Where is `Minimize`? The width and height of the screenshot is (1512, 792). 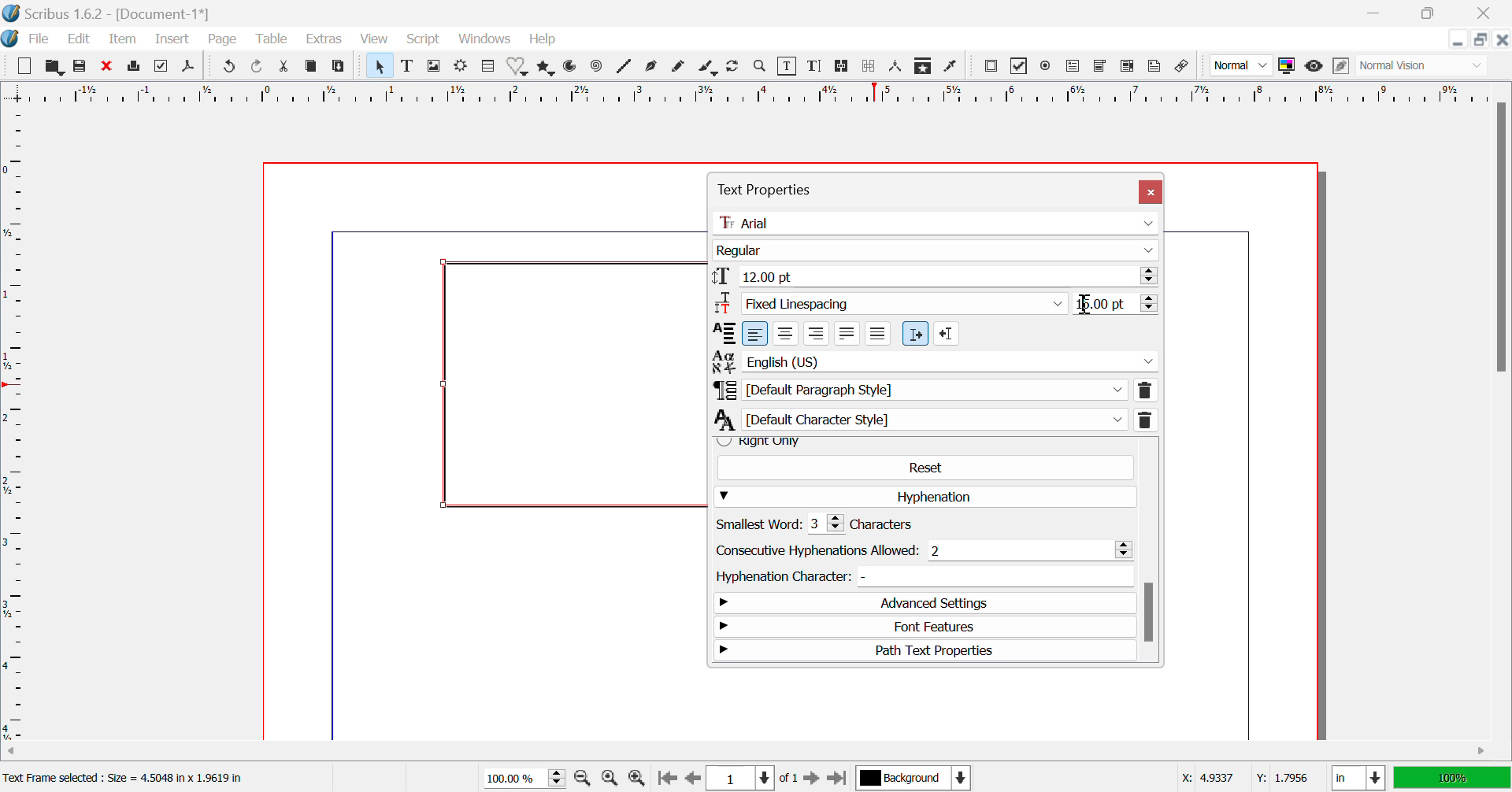
Minimize is located at coordinates (1429, 12).